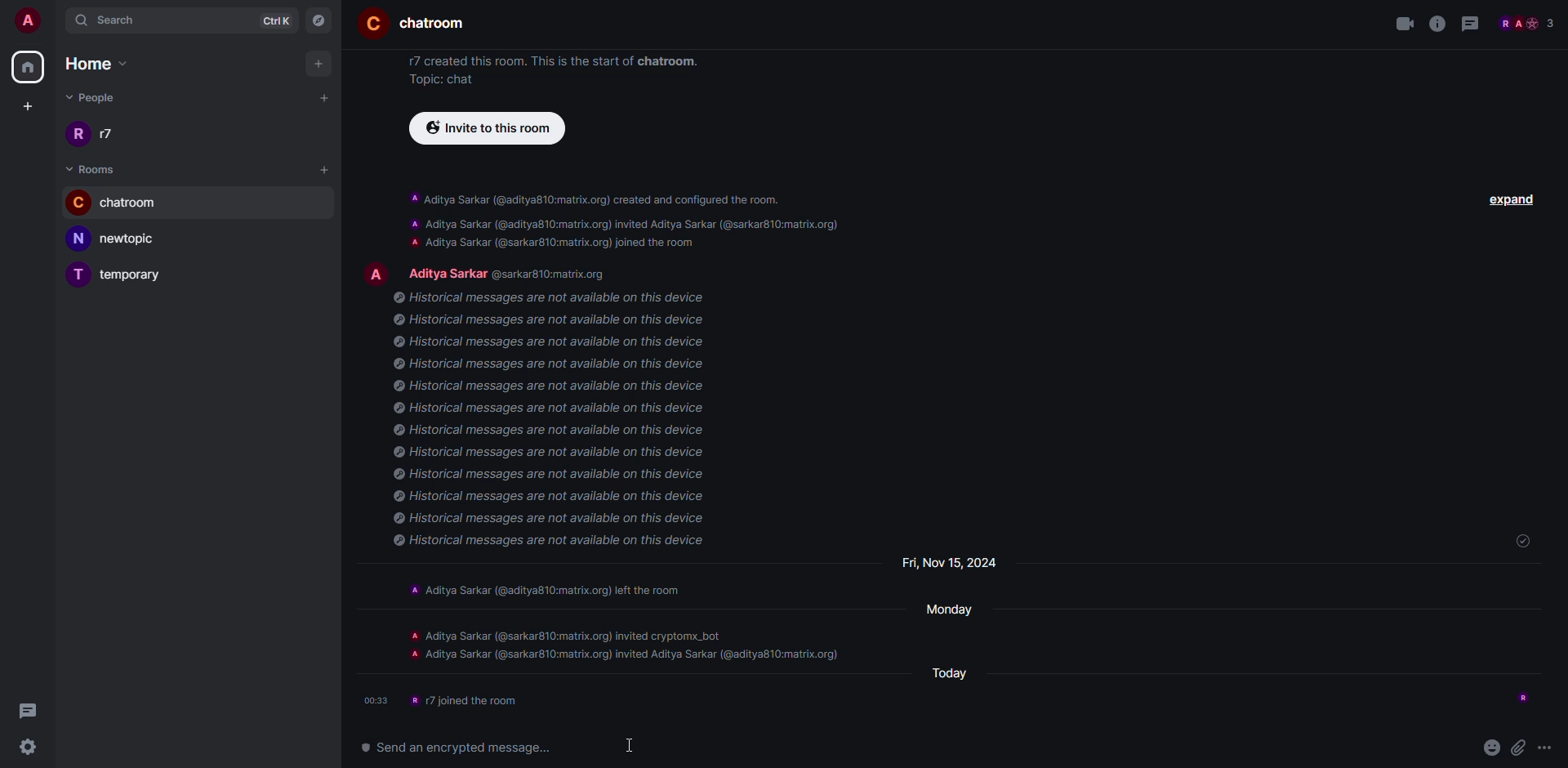  Describe the element at coordinates (98, 223) in the screenshot. I see `cursor` at that location.